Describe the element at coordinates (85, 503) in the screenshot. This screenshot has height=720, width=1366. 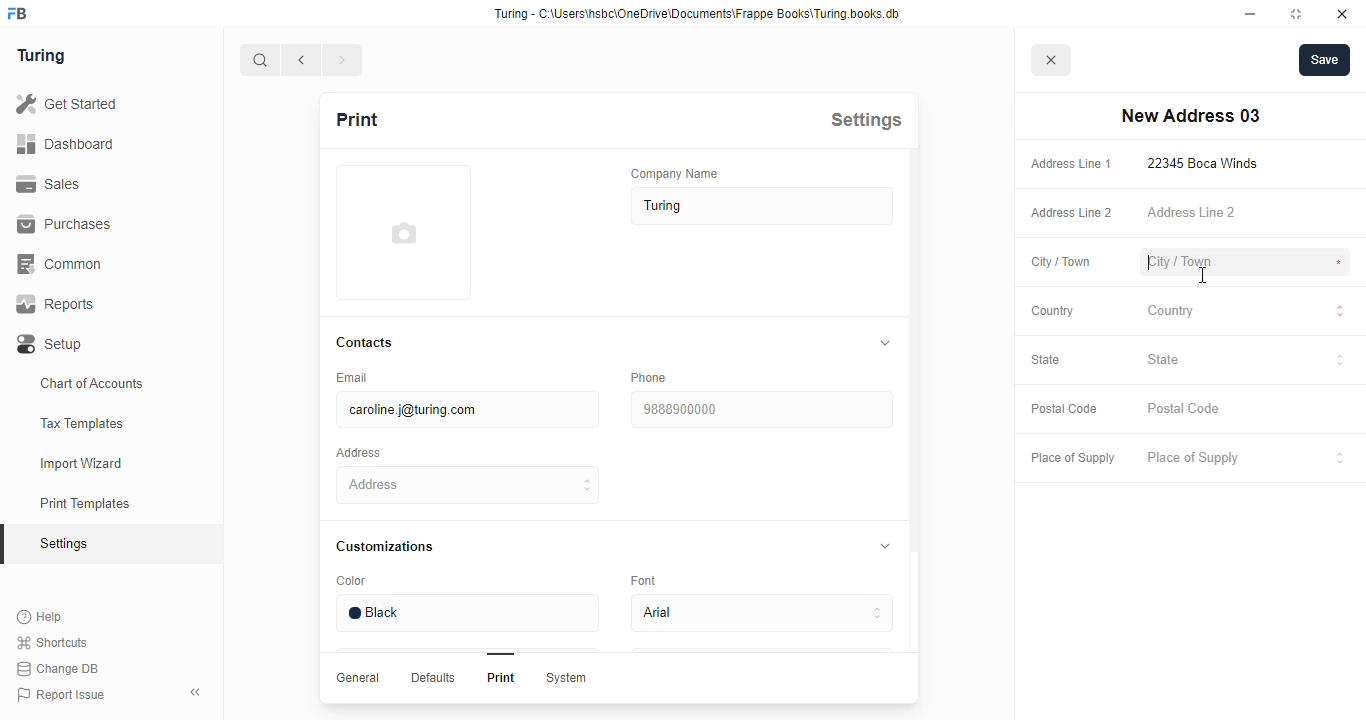
I see `print templates` at that location.